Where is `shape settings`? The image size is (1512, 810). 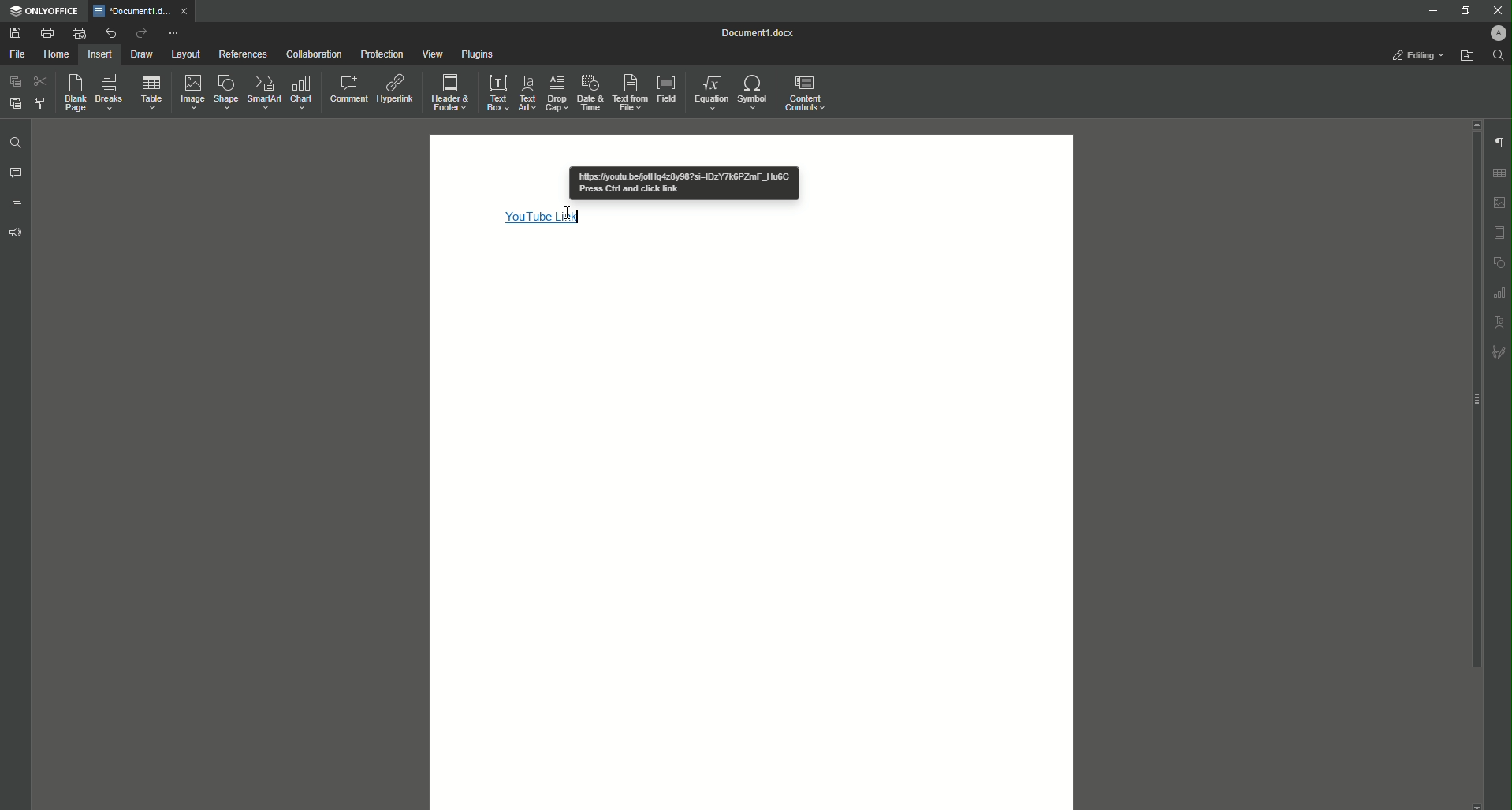
shape settings is located at coordinates (1500, 262).